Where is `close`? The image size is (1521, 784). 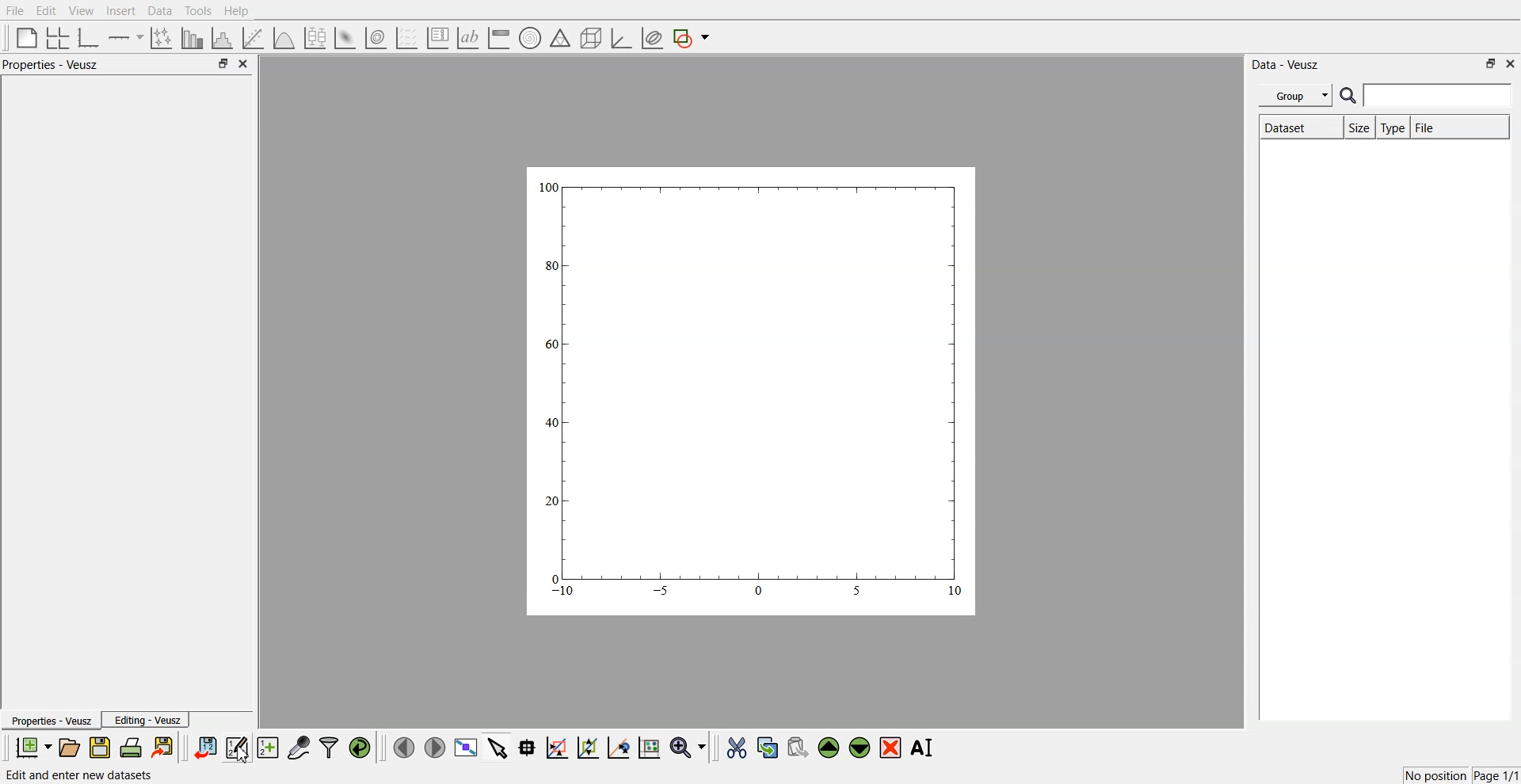
close is located at coordinates (1511, 63).